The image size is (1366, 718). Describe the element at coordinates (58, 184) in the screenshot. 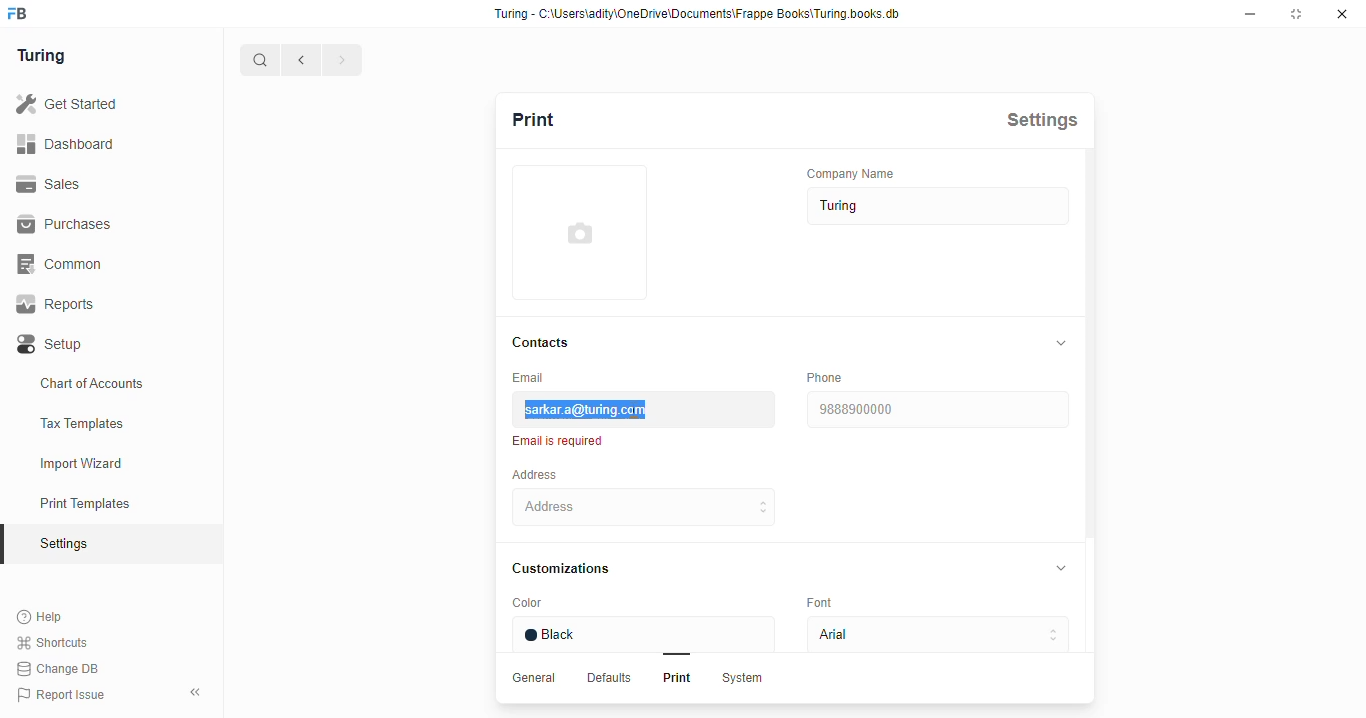

I see `Sales` at that location.